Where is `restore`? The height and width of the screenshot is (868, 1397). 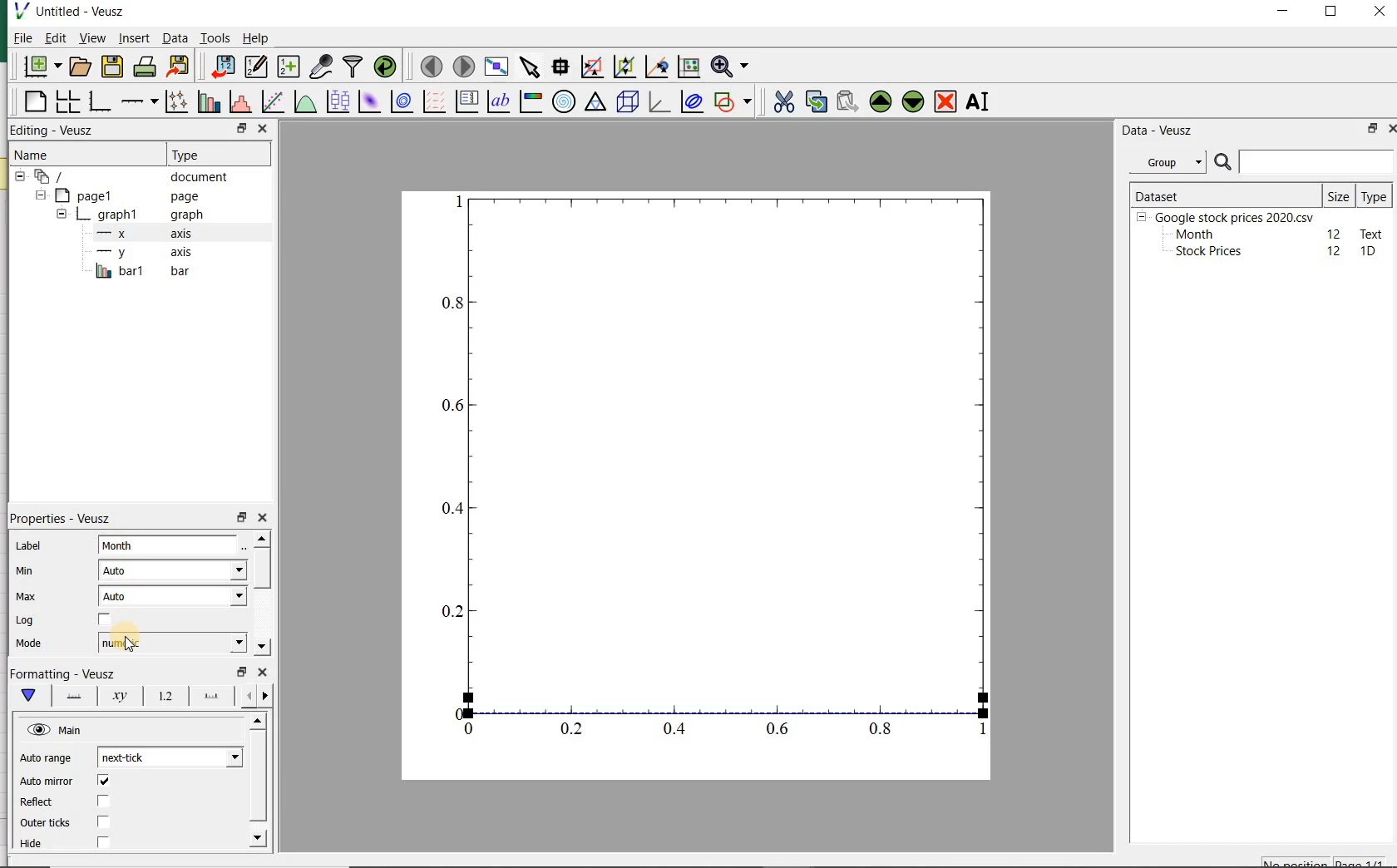
restore is located at coordinates (242, 129).